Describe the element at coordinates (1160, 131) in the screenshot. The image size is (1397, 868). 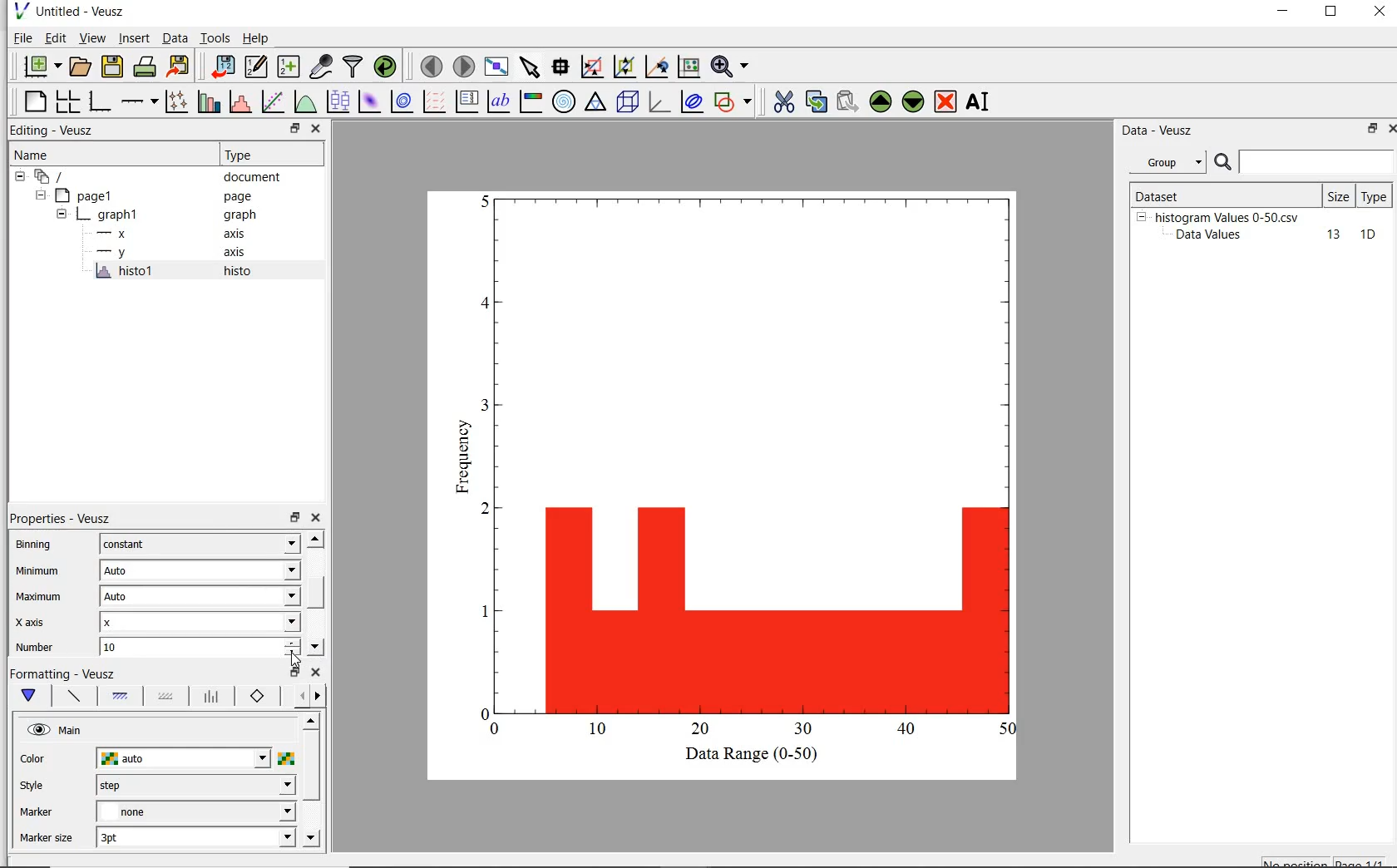
I see `Data - veusz` at that location.